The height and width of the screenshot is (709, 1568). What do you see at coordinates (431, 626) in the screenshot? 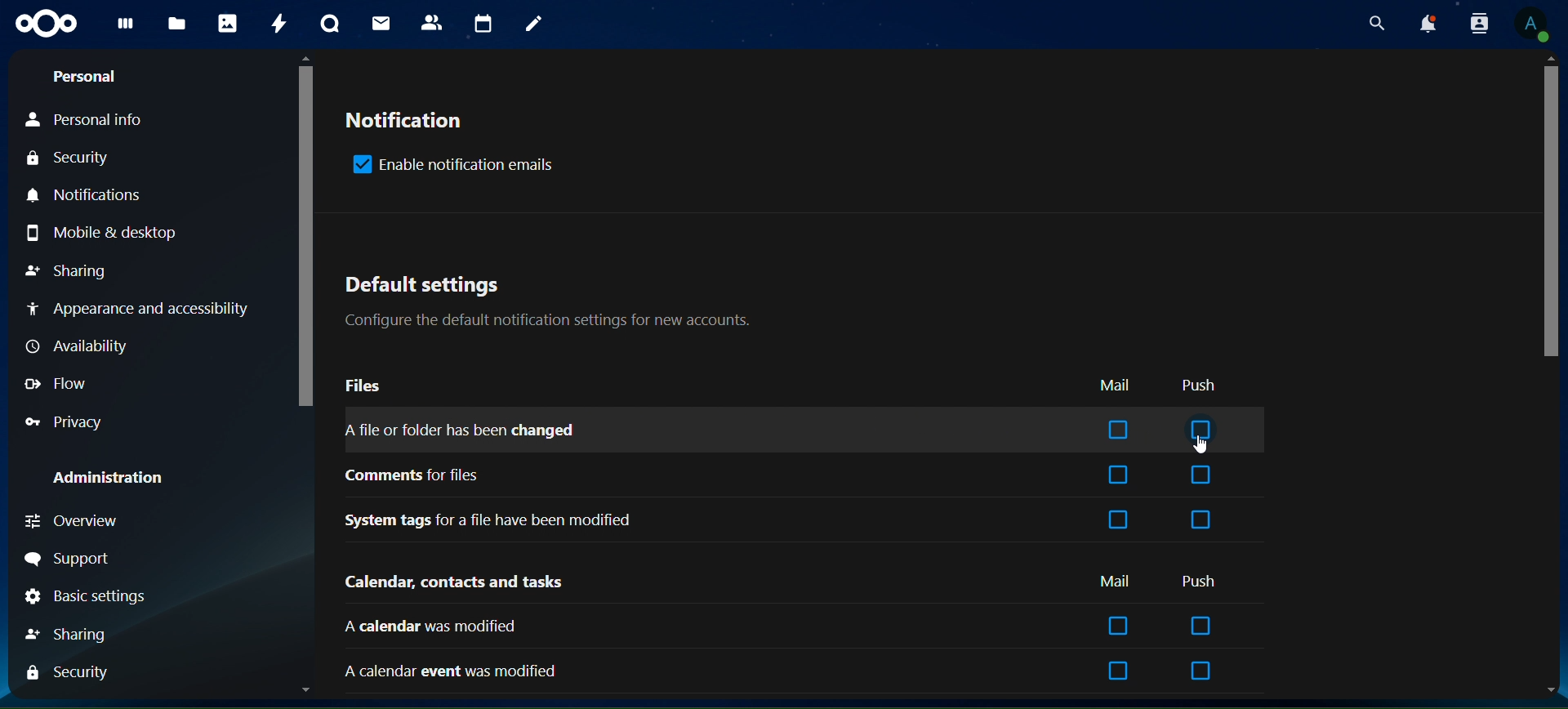
I see ` calendar was modified` at bounding box center [431, 626].